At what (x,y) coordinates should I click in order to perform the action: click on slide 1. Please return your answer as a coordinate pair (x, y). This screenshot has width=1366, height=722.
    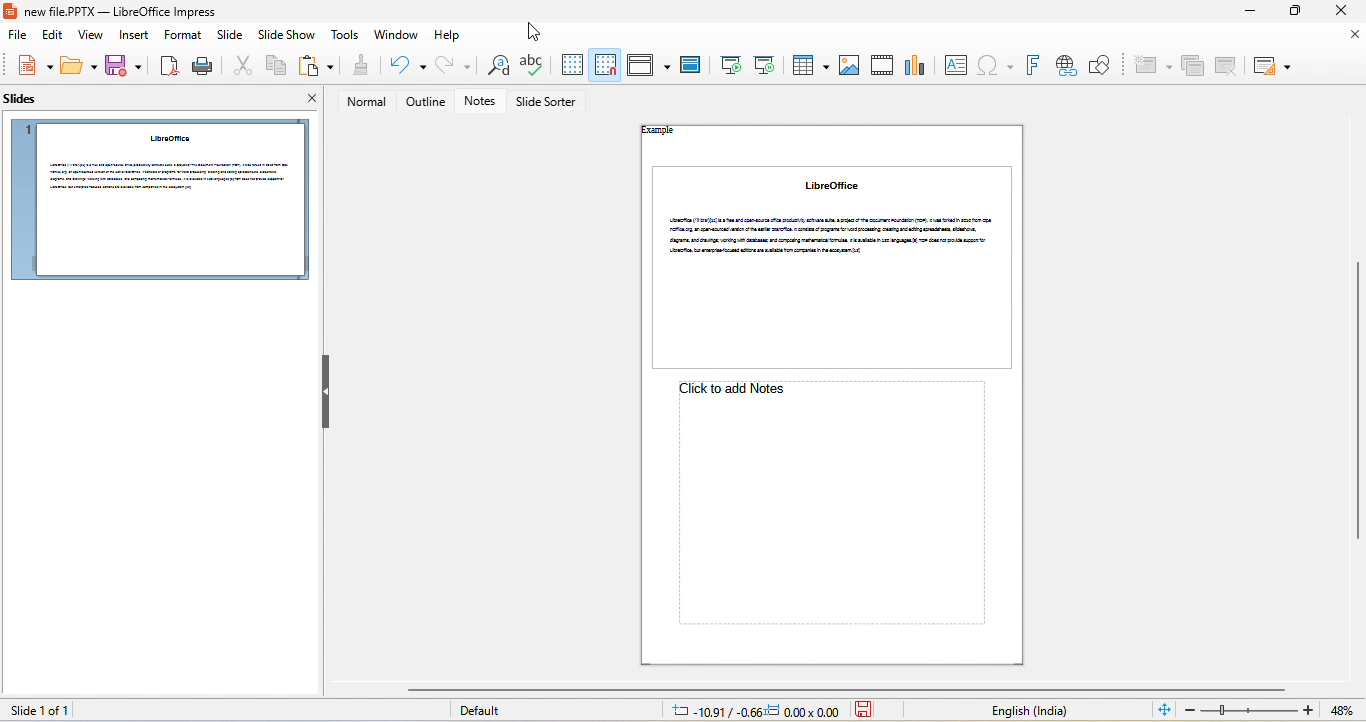
    Looking at the image, I should click on (158, 200).